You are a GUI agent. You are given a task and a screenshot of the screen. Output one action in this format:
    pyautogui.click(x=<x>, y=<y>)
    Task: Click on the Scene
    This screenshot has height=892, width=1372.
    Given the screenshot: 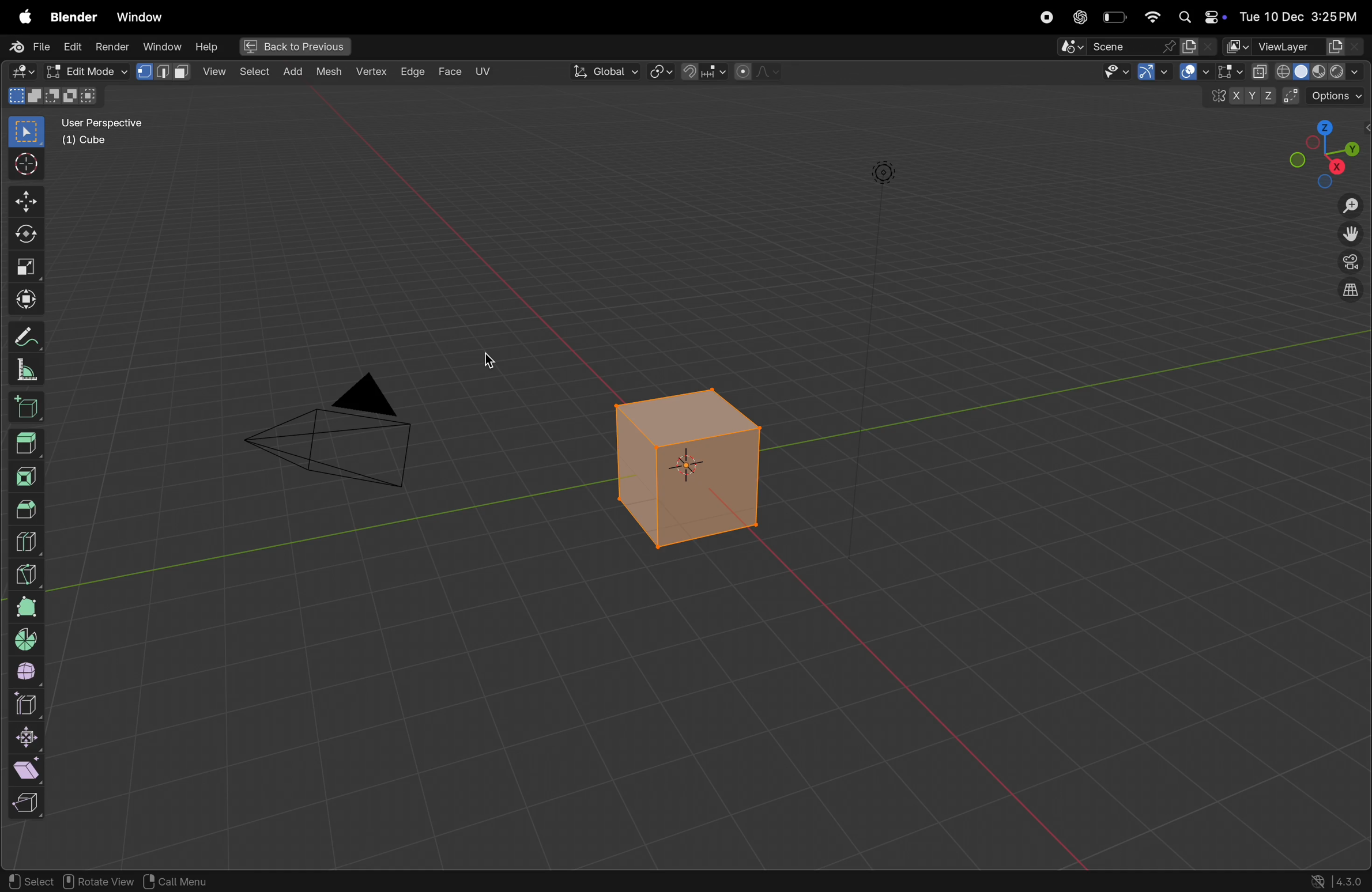 What is the action you would take?
    pyautogui.click(x=1137, y=47)
    